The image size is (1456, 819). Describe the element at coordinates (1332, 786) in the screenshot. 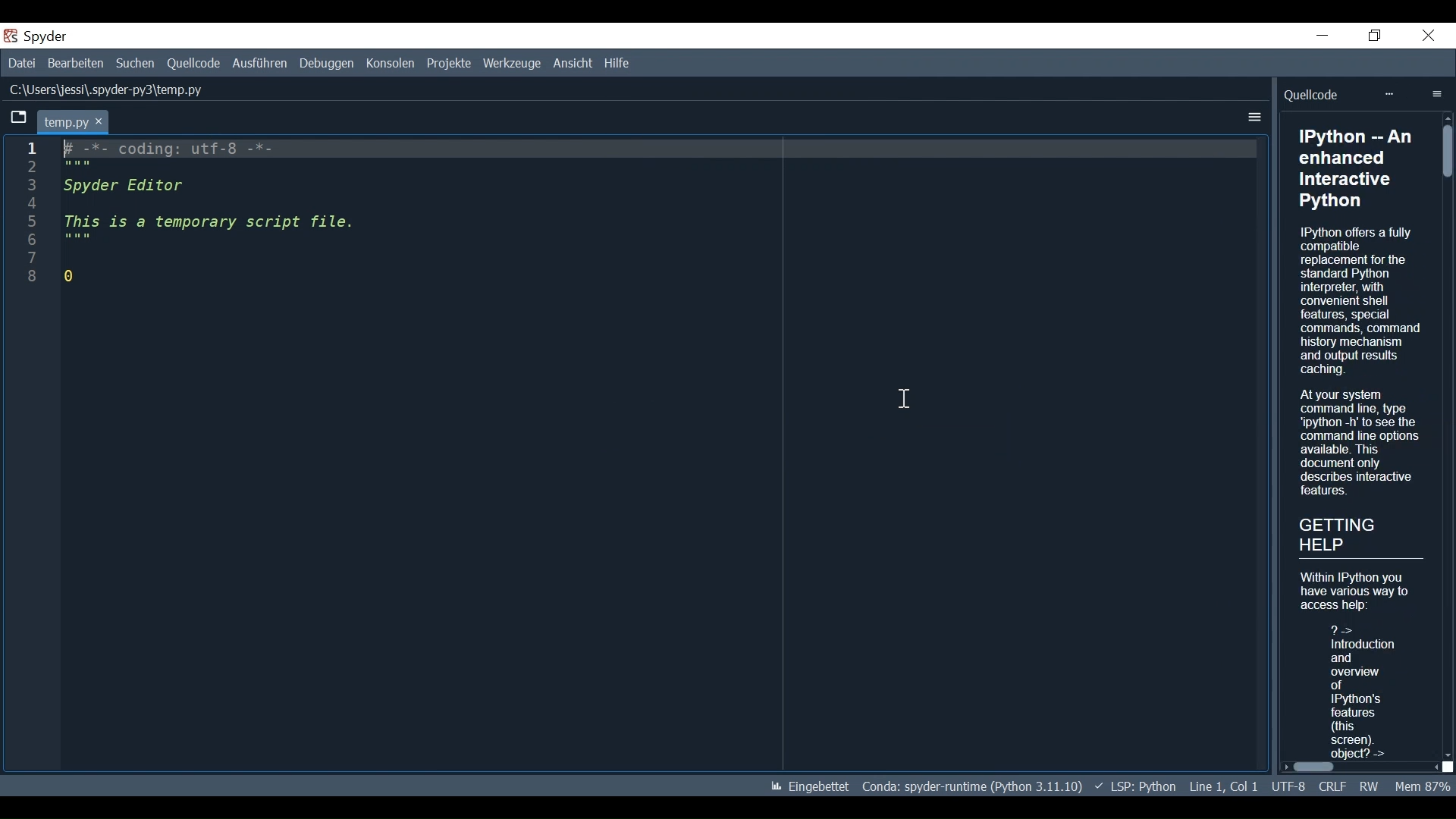

I see `CRLF` at that location.